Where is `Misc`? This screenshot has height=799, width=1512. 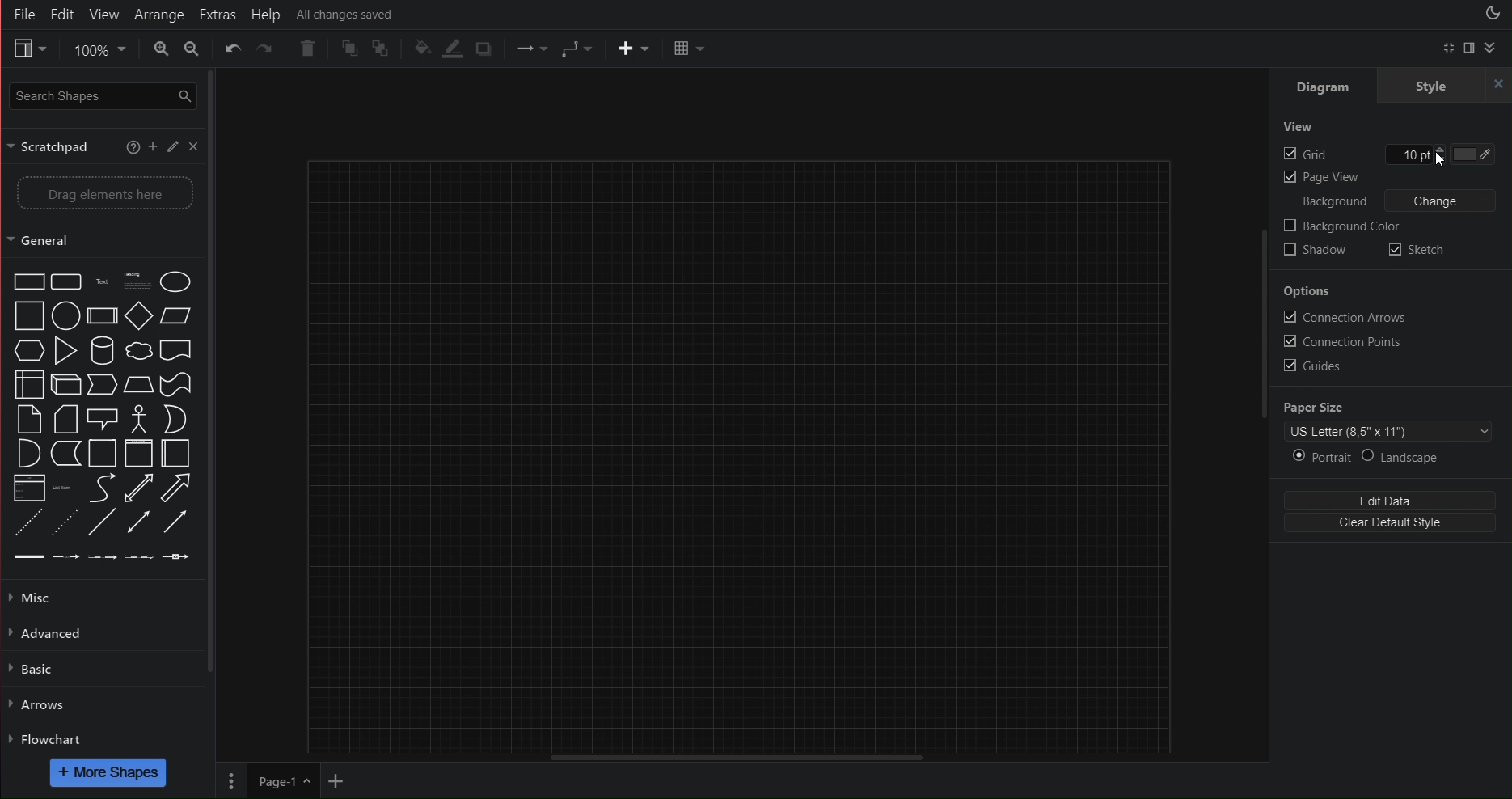 Misc is located at coordinates (46, 598).